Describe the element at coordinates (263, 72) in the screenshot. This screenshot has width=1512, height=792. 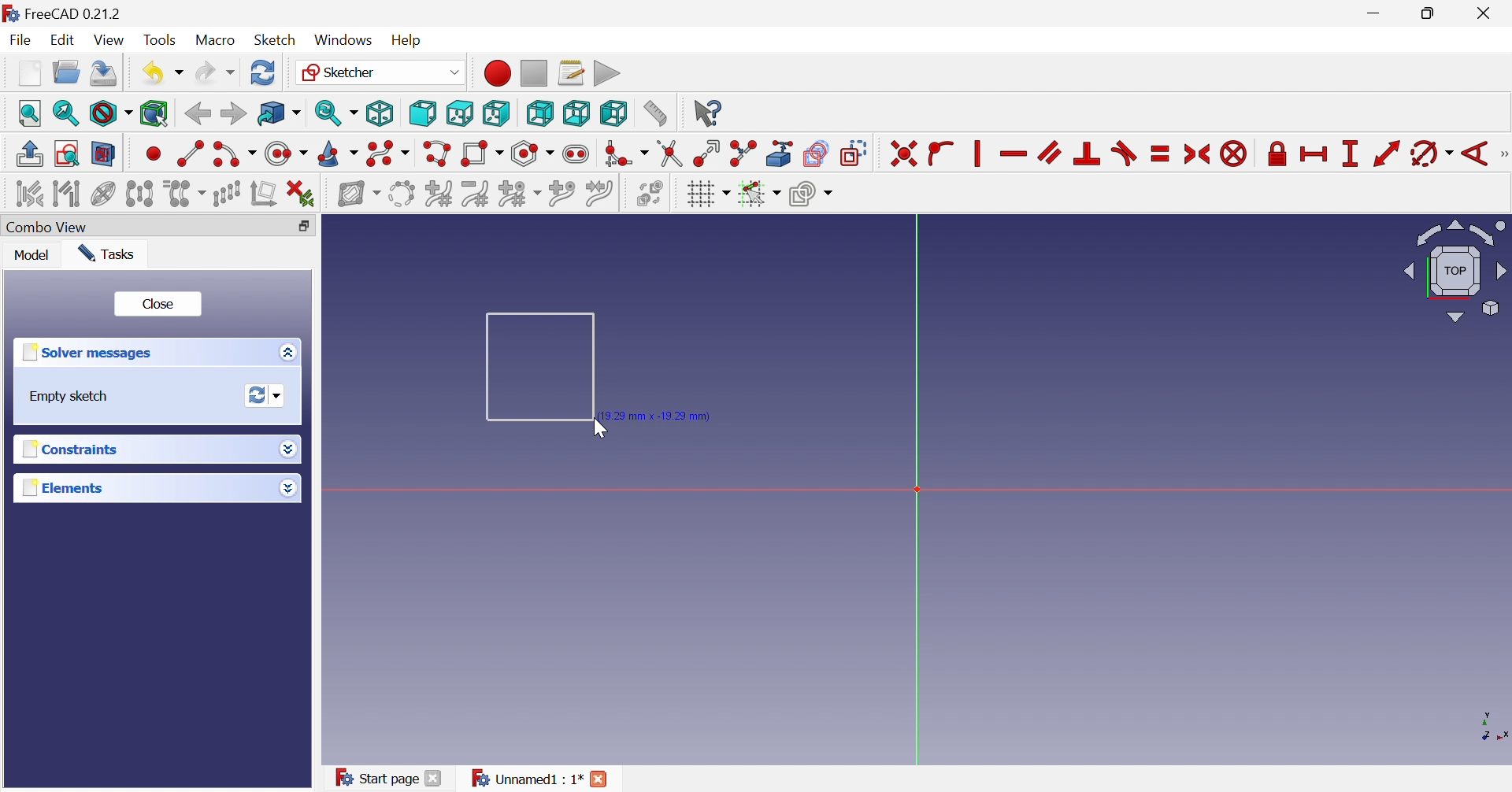
I see `Refresh` at that location.